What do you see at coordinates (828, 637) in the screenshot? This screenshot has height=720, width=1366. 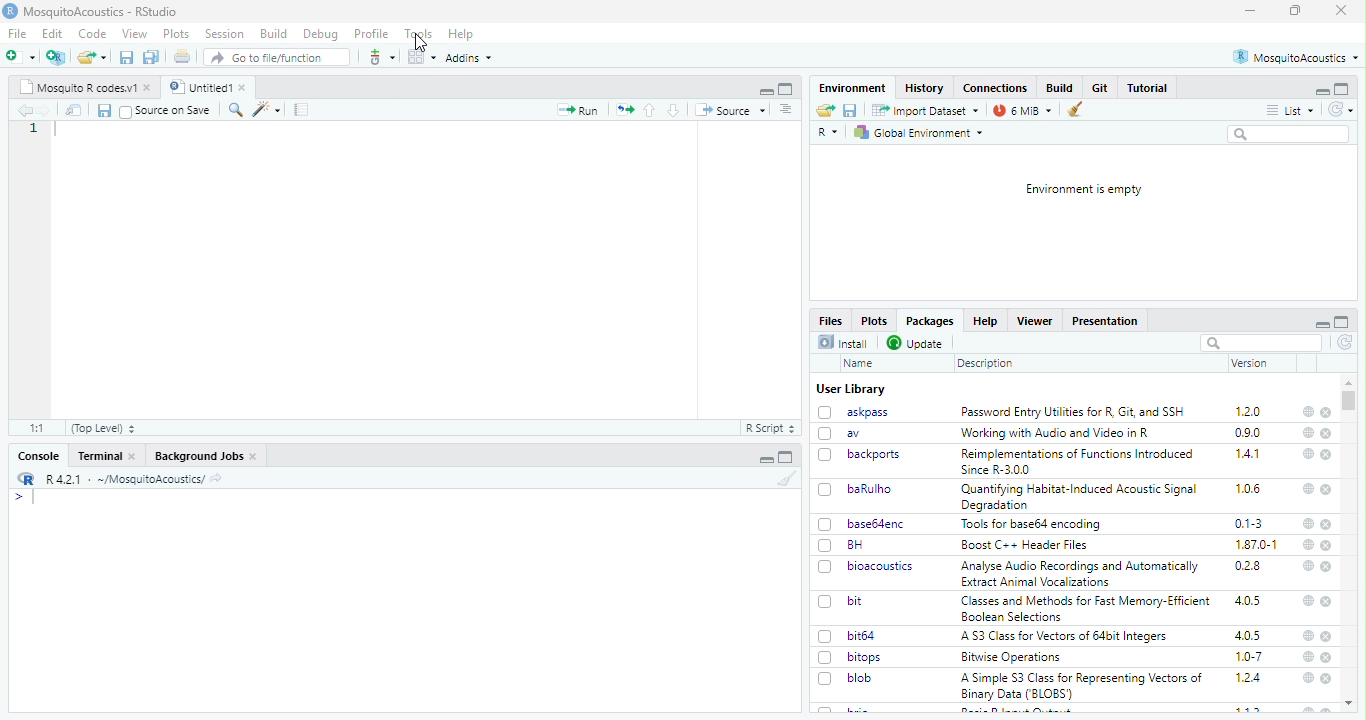 I see `checkbox` at bounding box center [828, 637].